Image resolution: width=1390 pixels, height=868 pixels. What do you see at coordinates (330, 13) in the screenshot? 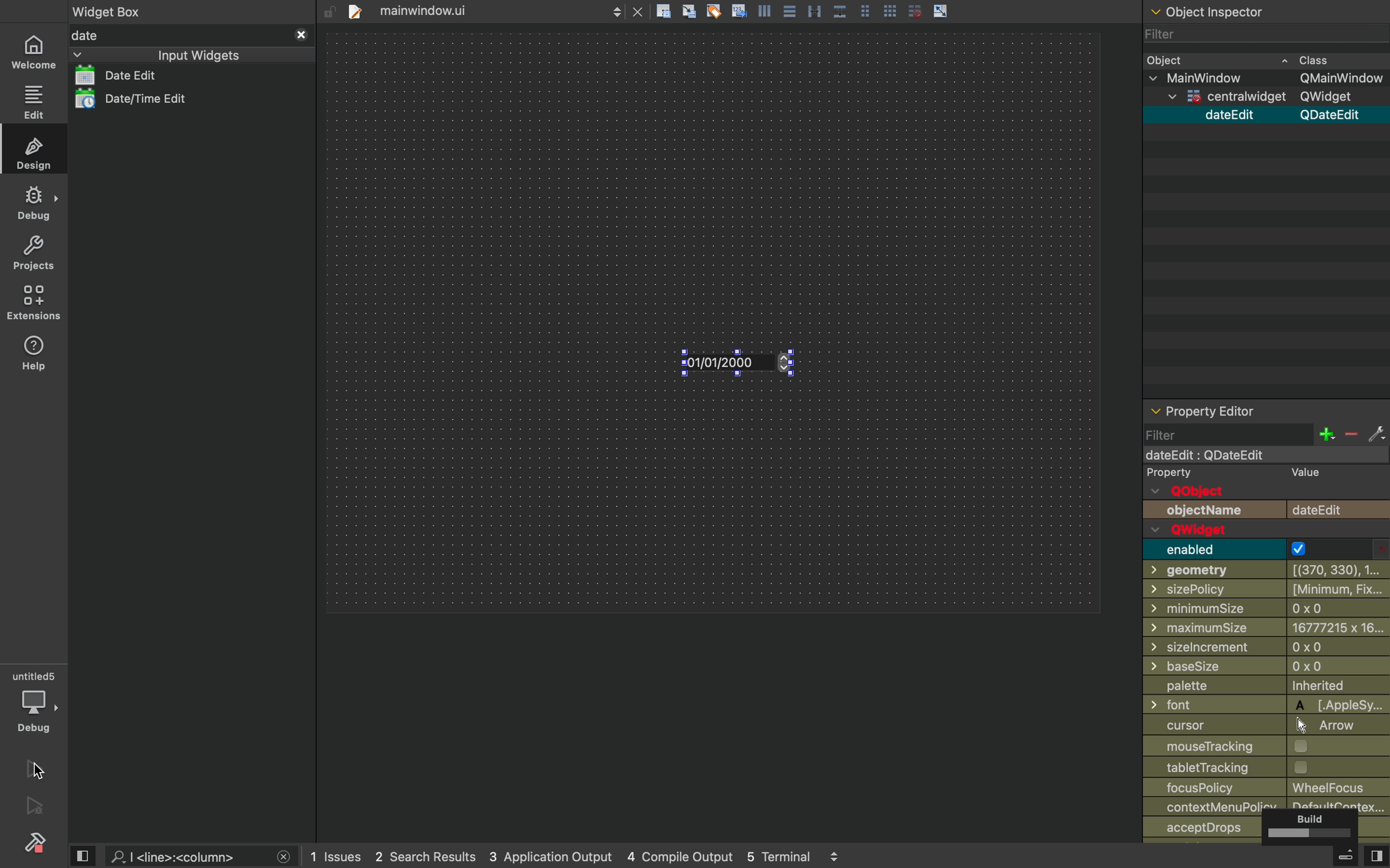
I see `unlock` at bounding box center [330, 13].